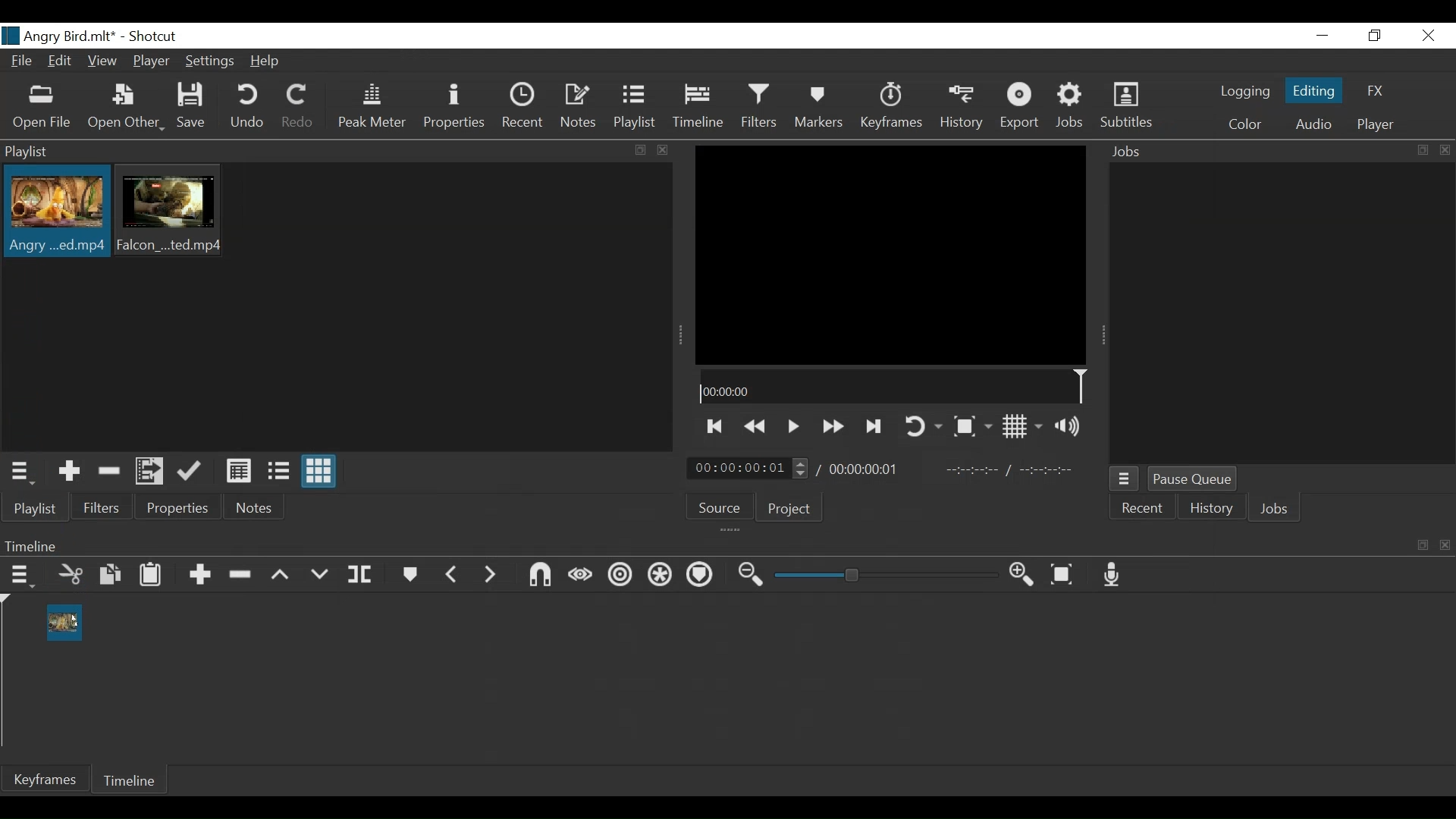  Describe the element at coordinates (154, 576) in the screenshot. I see `Paste` at that location.